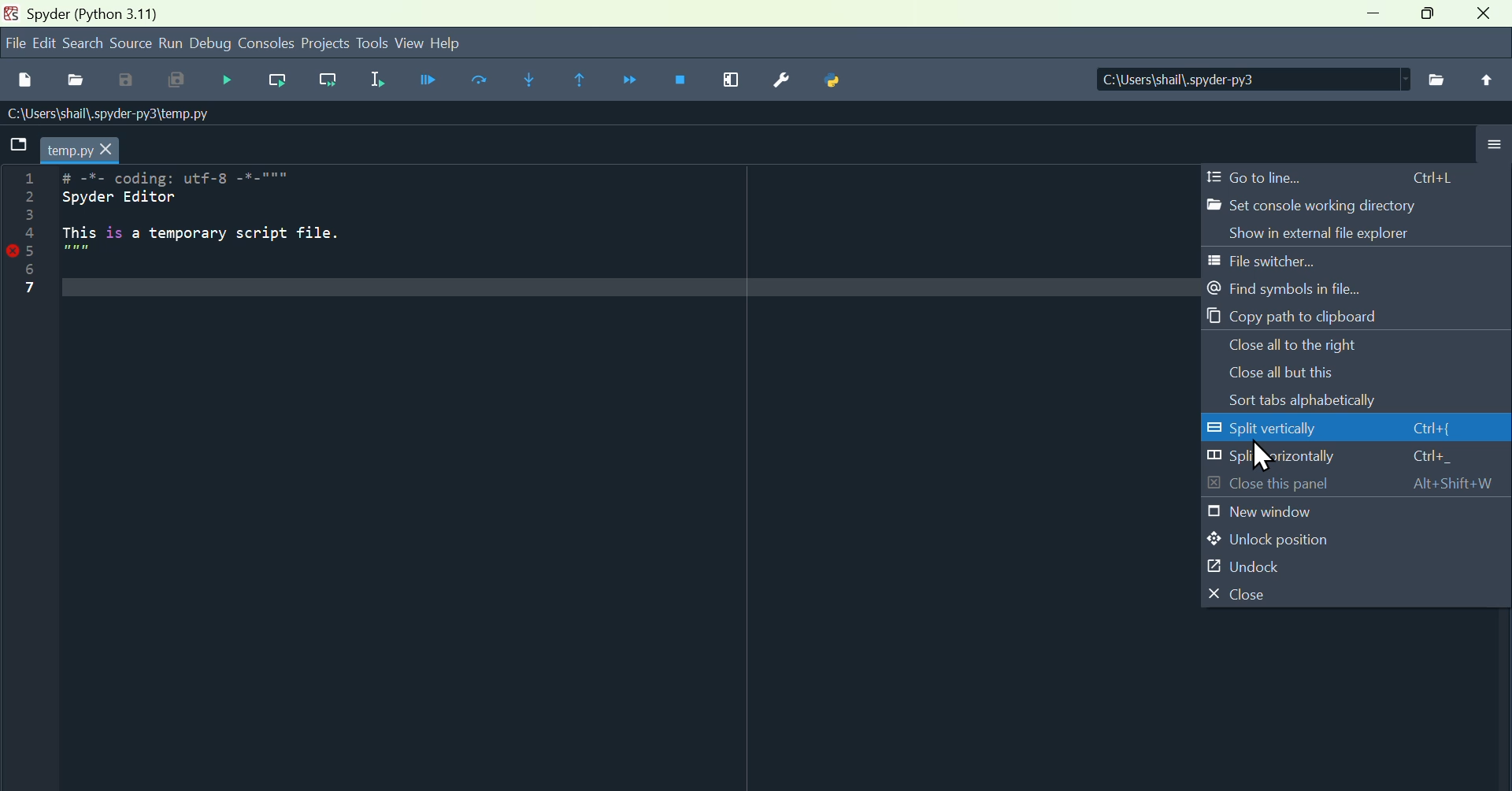  I want to click on run, so click(175, 45).